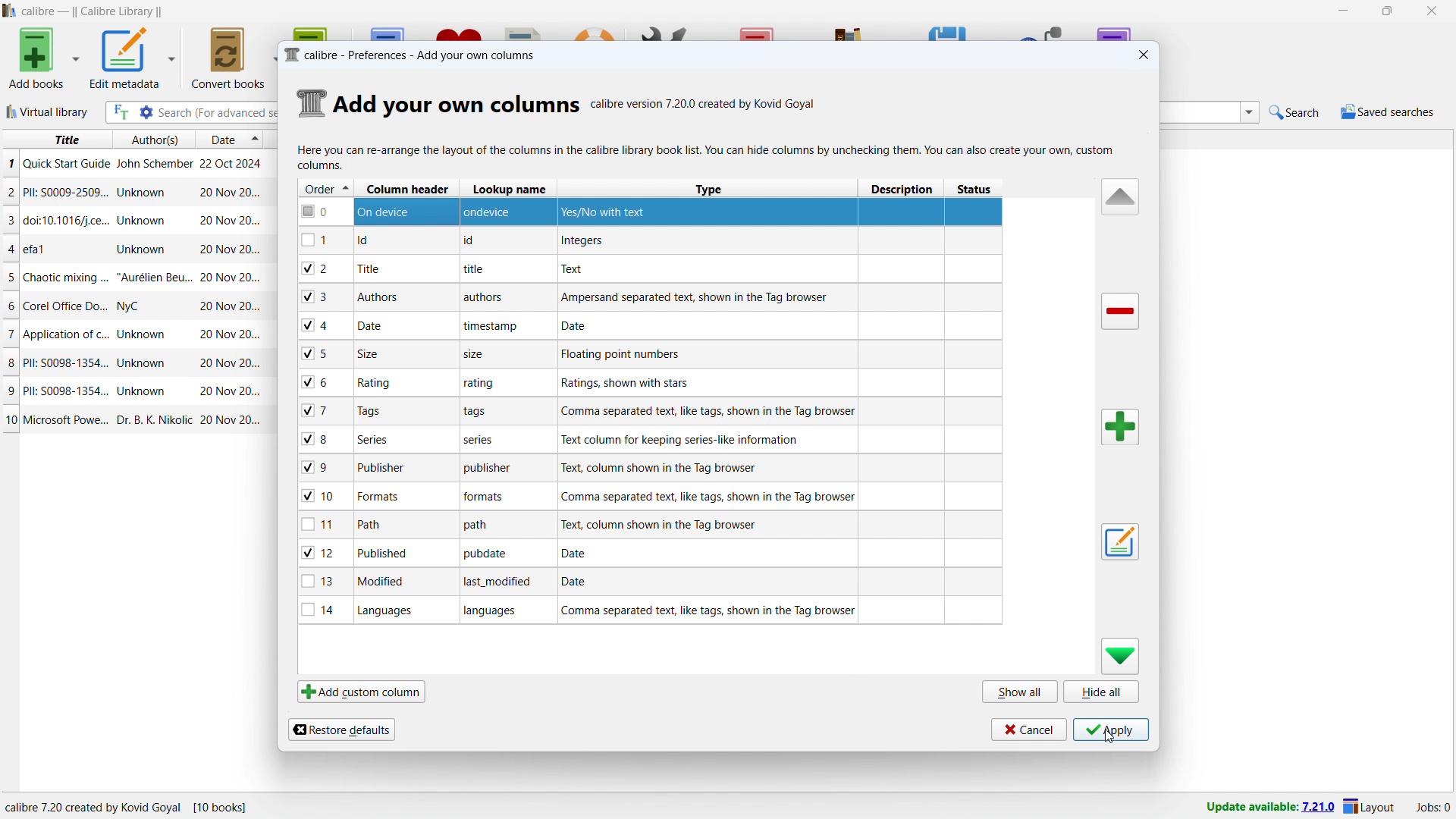 The image size is (1456, 819). I want to click on virtual library, so click(48, 112).